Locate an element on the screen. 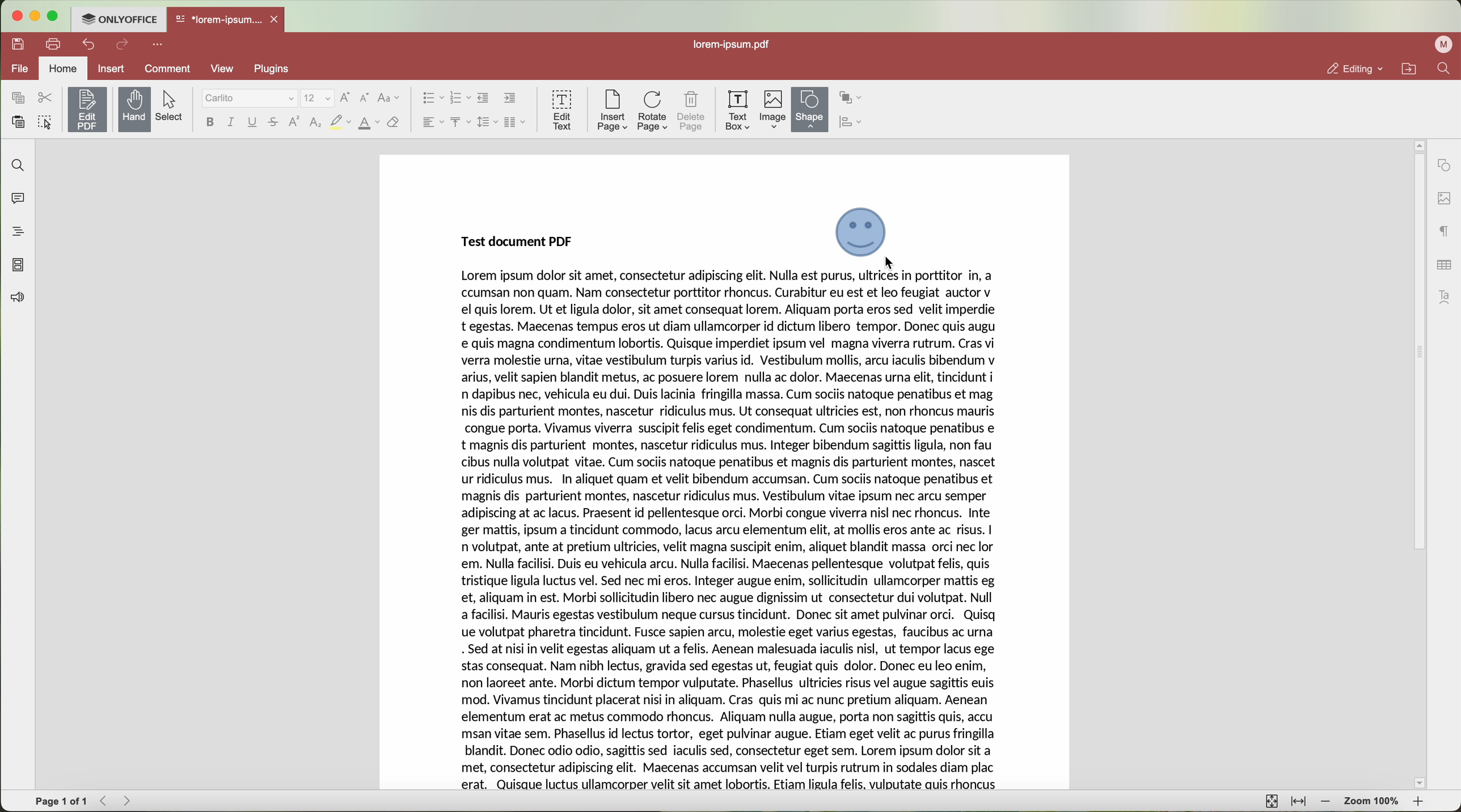 The width and height of the screenshot is (1461, 812). feedback and support is located at coordinates (18, 298).